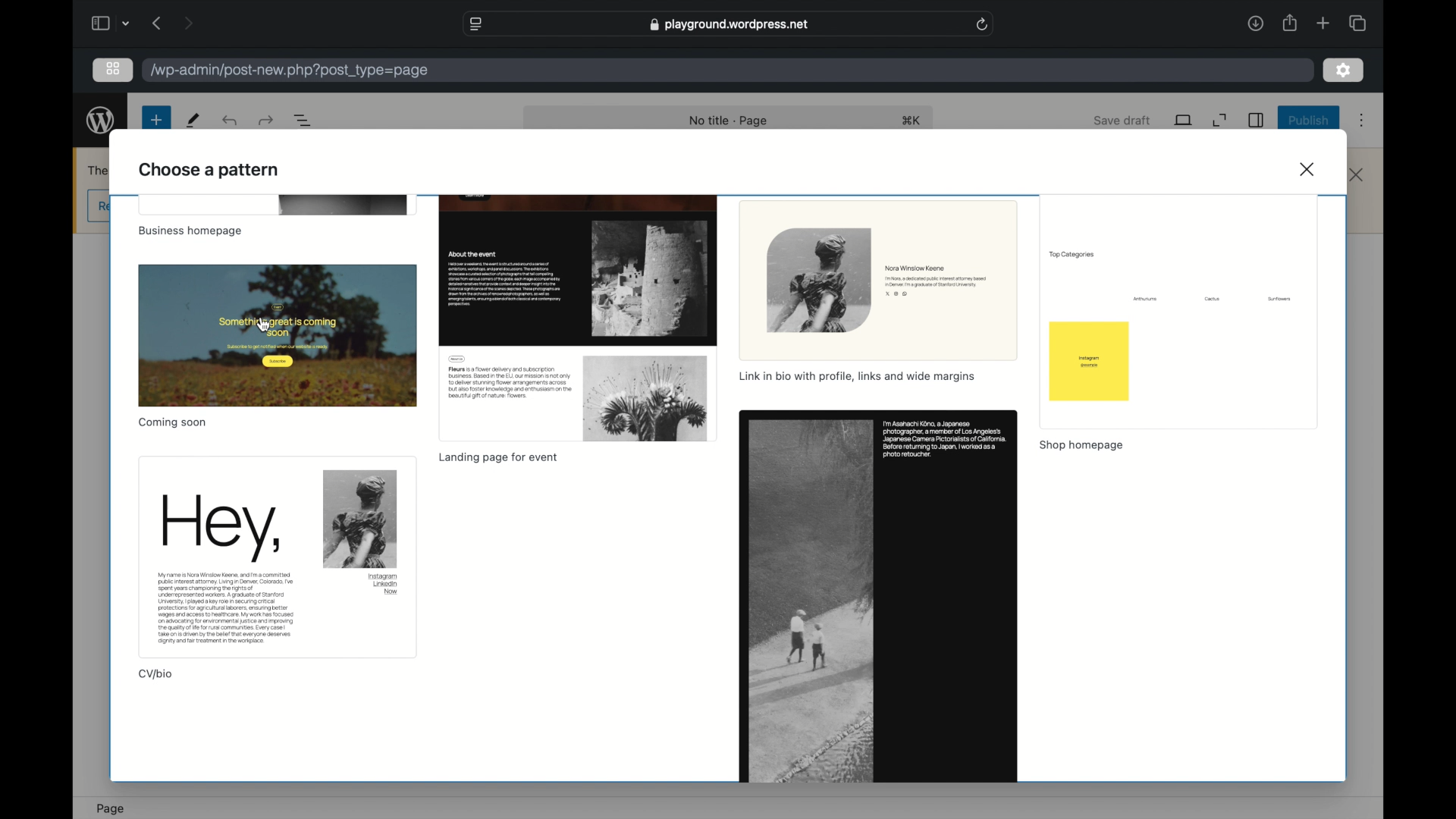 The height and width of the screenshot is (819, 1456). Describe the element at coordinates (730, 122) in the screenshot. I see `no title -page` at that location.